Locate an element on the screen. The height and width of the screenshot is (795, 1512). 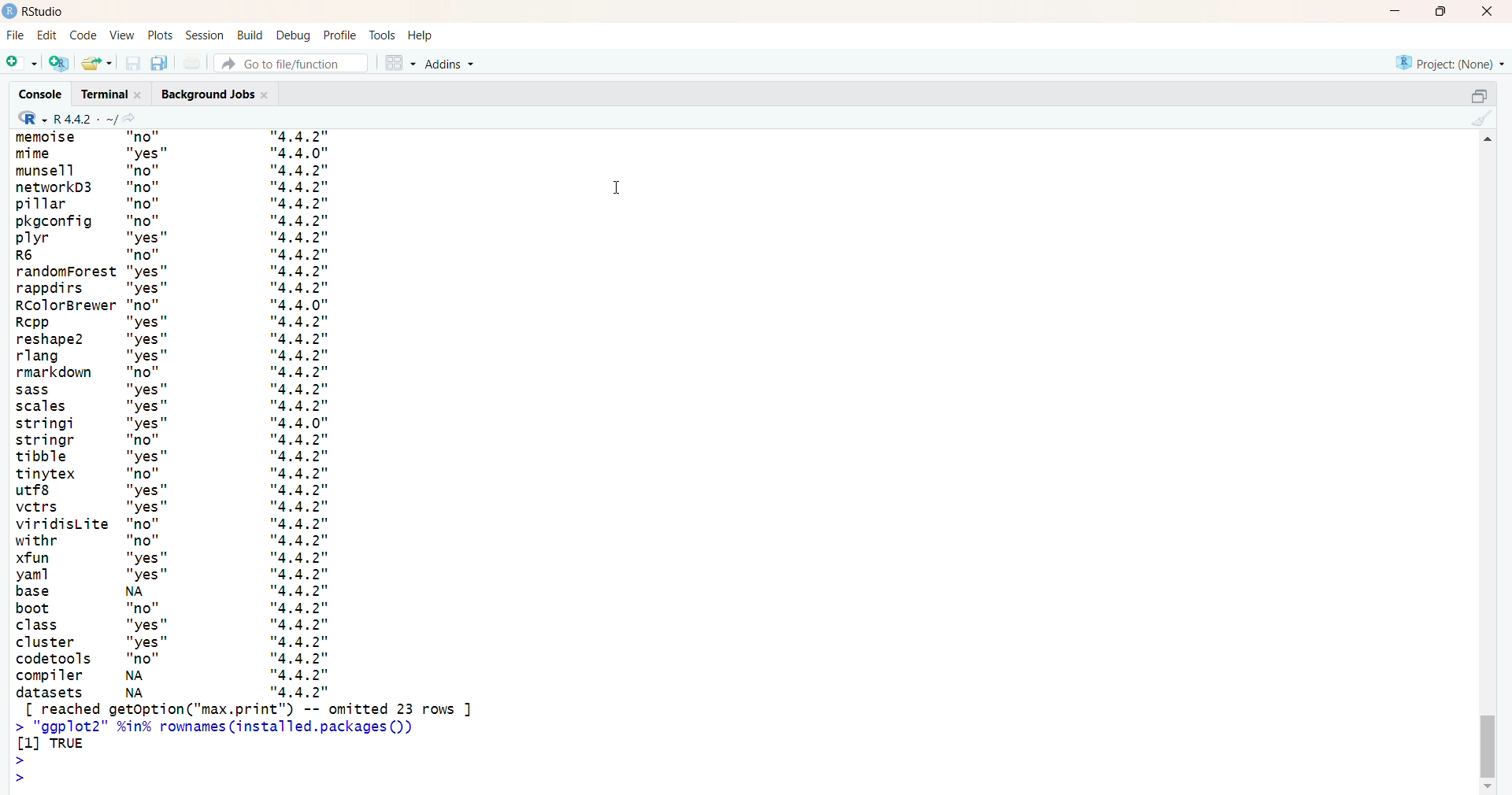
new file is located at coordinates (21, 65).